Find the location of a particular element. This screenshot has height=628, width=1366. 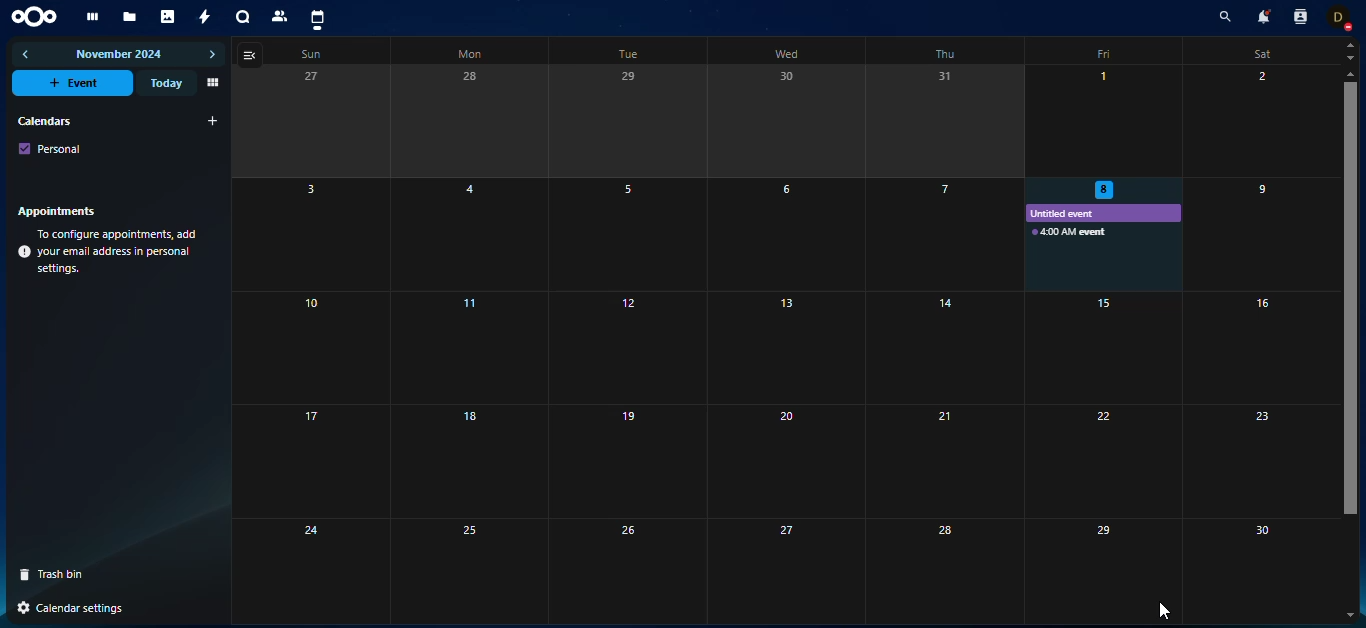

settings is located at coordinates (74, 608).